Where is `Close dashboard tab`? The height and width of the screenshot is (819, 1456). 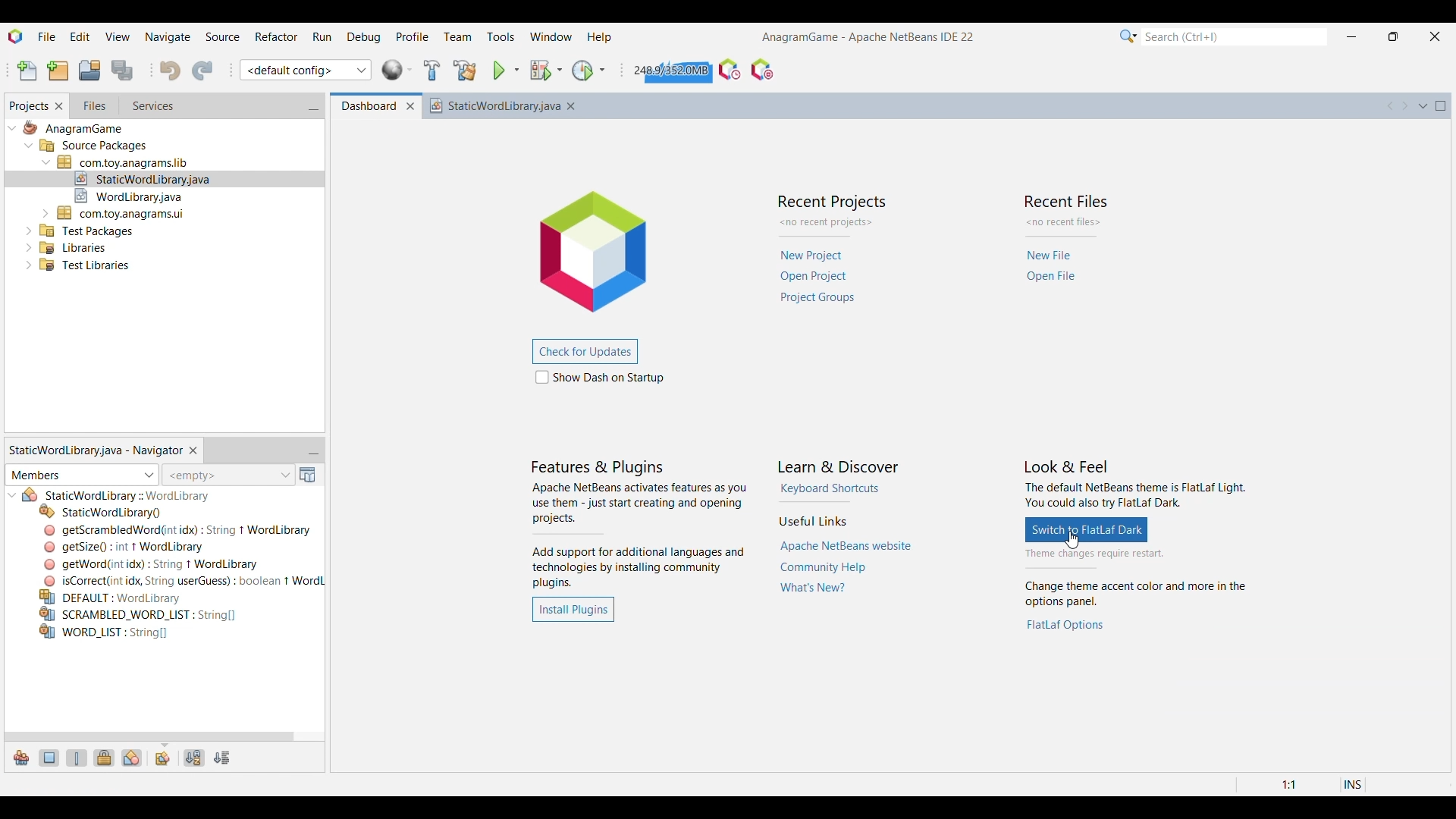 Close dashboard tab is located at coordinates (410, 107).